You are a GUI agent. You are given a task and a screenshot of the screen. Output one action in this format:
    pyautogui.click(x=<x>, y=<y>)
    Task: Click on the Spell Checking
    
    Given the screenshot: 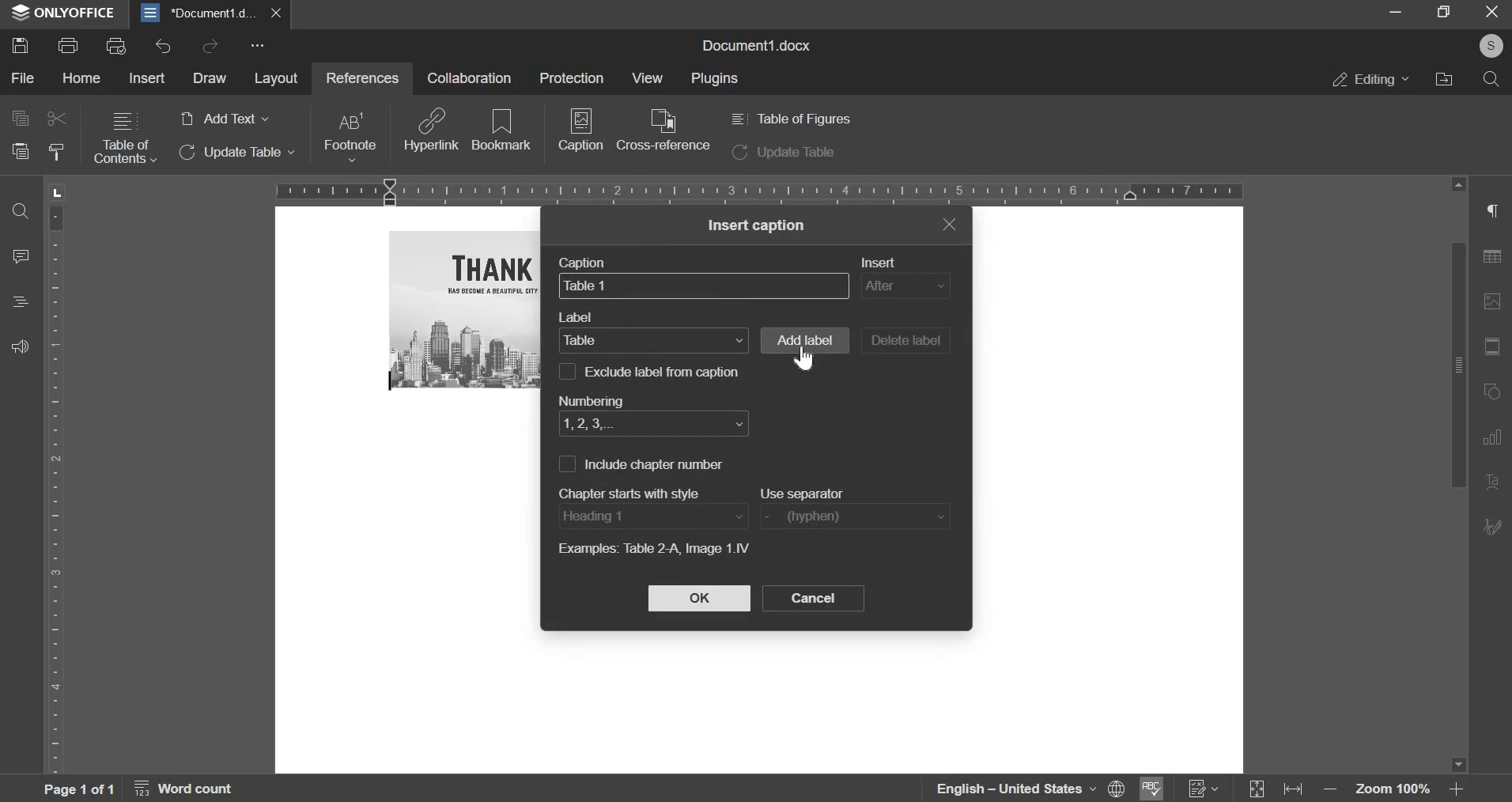 What is the action you would take?
    pyautogui.click(x=1149, y=789)
    